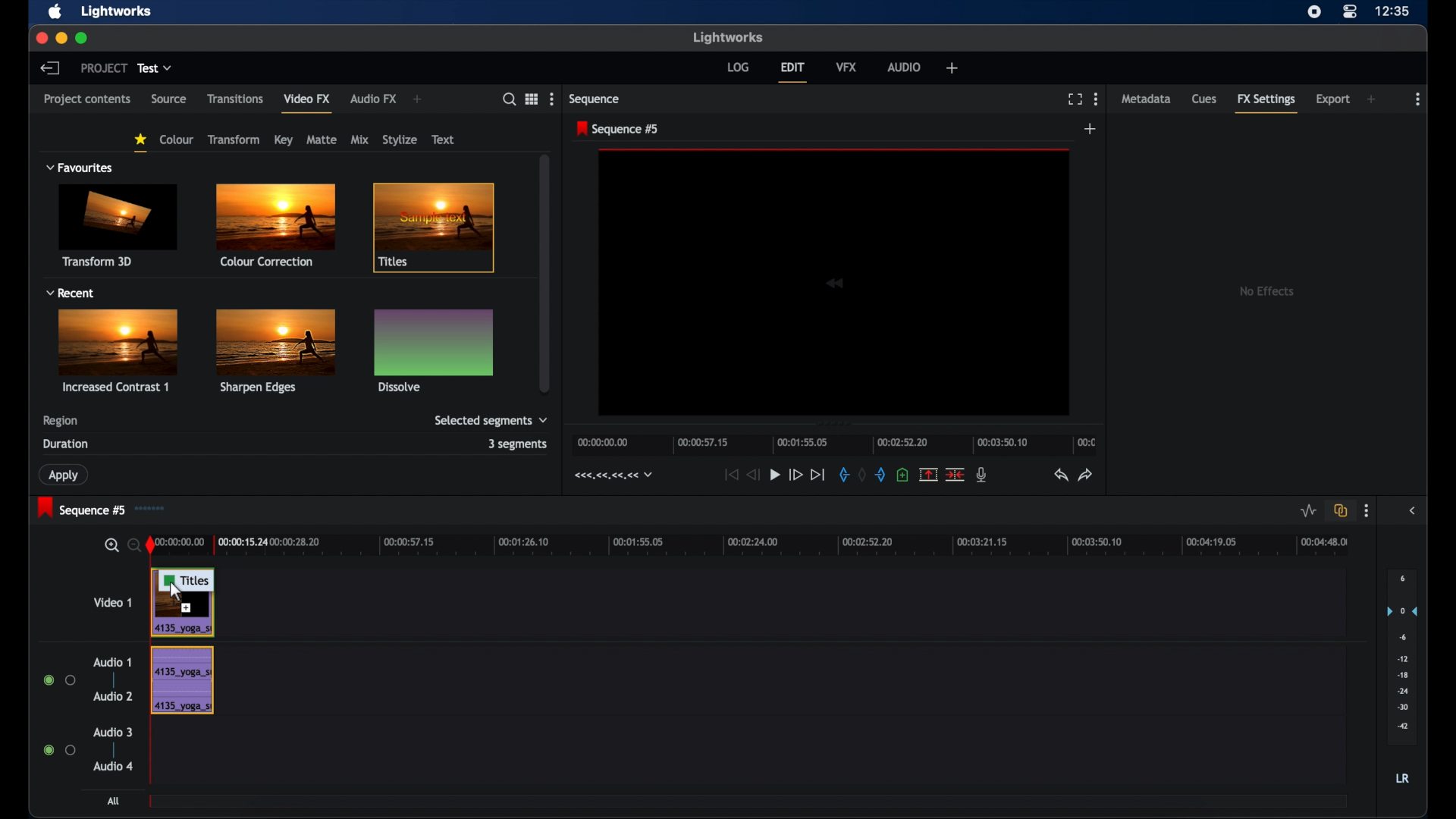 This screenshot has height=819, width=1456. What do you see at coordinates (738, 67) in the screenshot?
I see `log` at bounding box center [738, 67].